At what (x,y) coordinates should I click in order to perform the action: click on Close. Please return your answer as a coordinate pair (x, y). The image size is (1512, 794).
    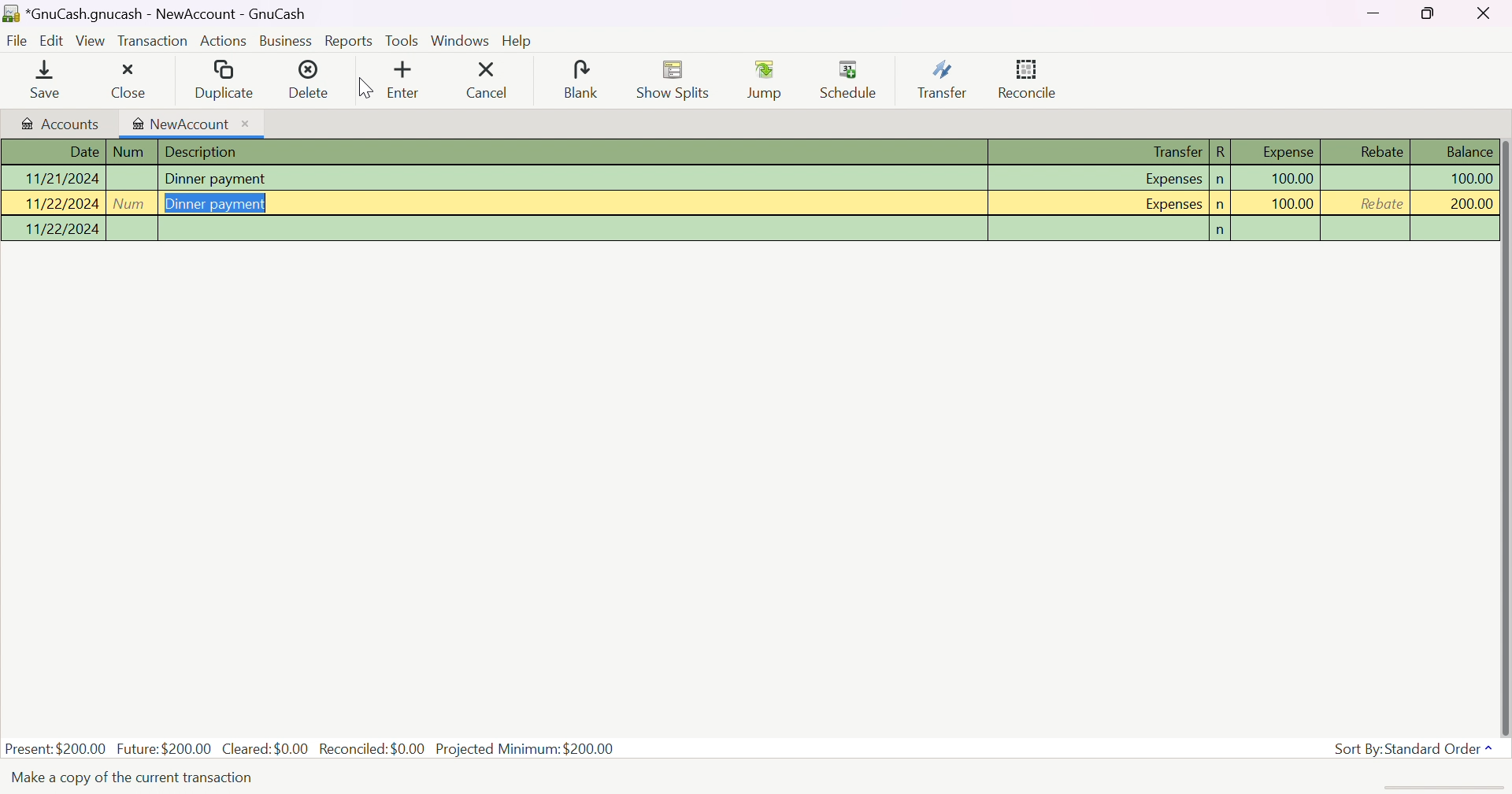
    Looking at the image, I should click on (1485, 13).